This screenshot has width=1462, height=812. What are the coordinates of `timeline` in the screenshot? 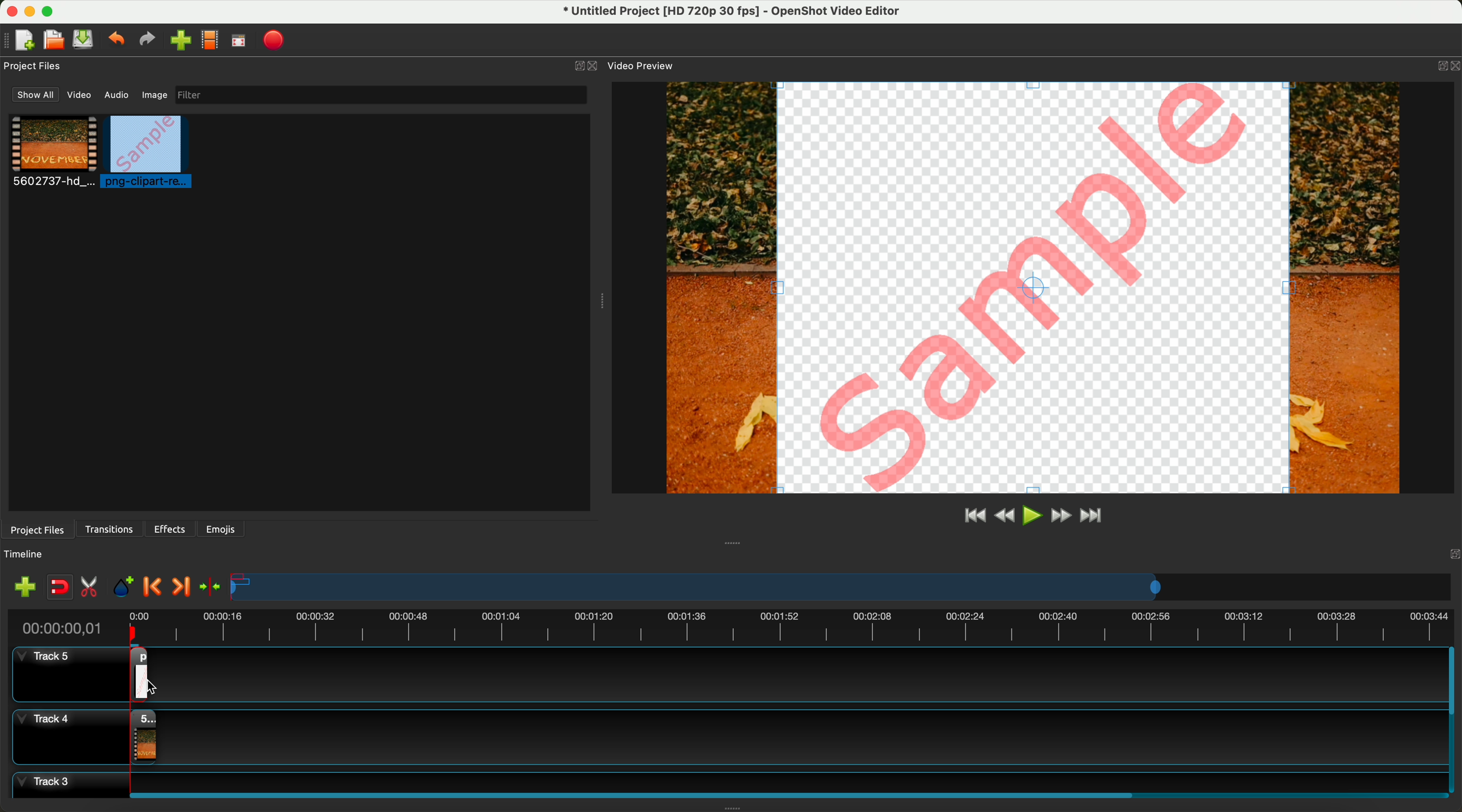 It's located at (730, 626).